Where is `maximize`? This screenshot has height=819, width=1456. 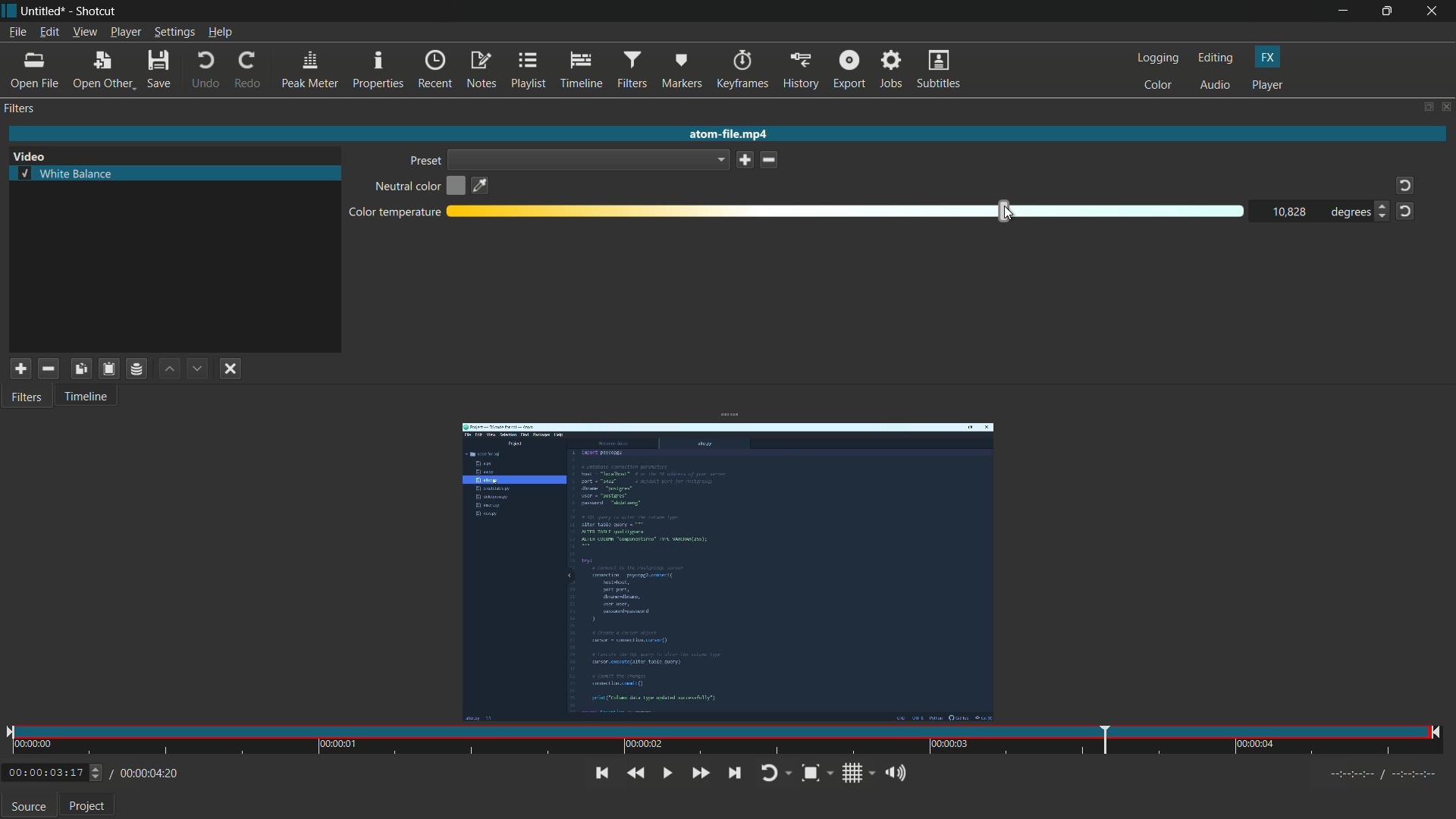 maximize is located at coordinates (1389, 11).